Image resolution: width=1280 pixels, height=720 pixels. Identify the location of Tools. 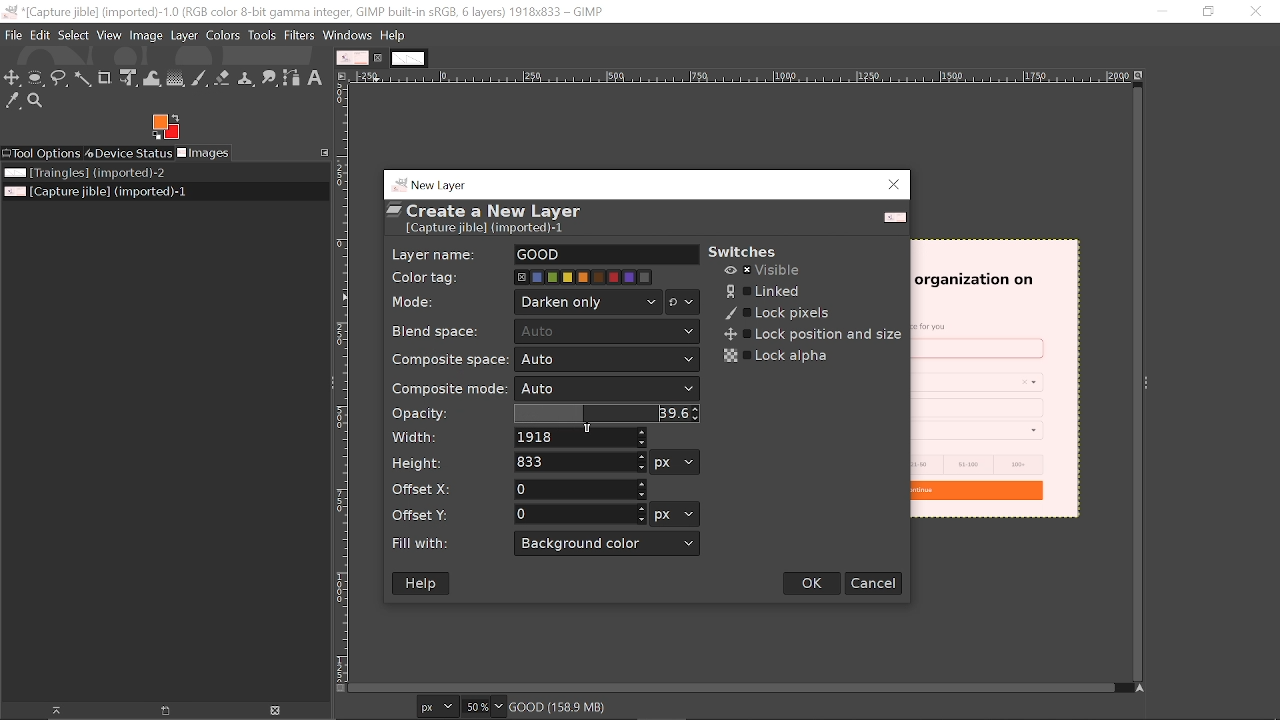
(261, 35).